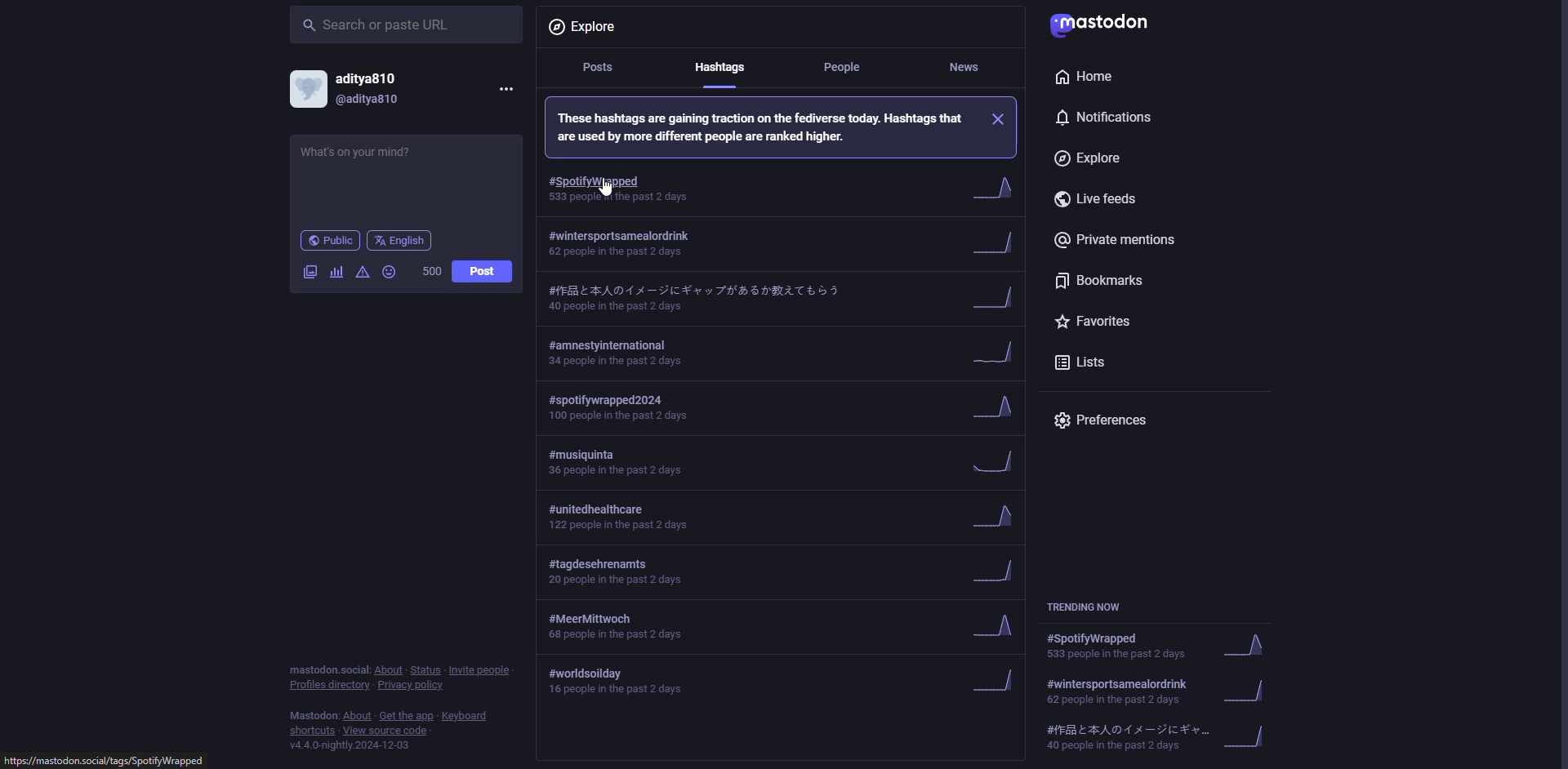 The width and height of the screenshot is (1568, 769). I want to click on poll, so click(336, 272).